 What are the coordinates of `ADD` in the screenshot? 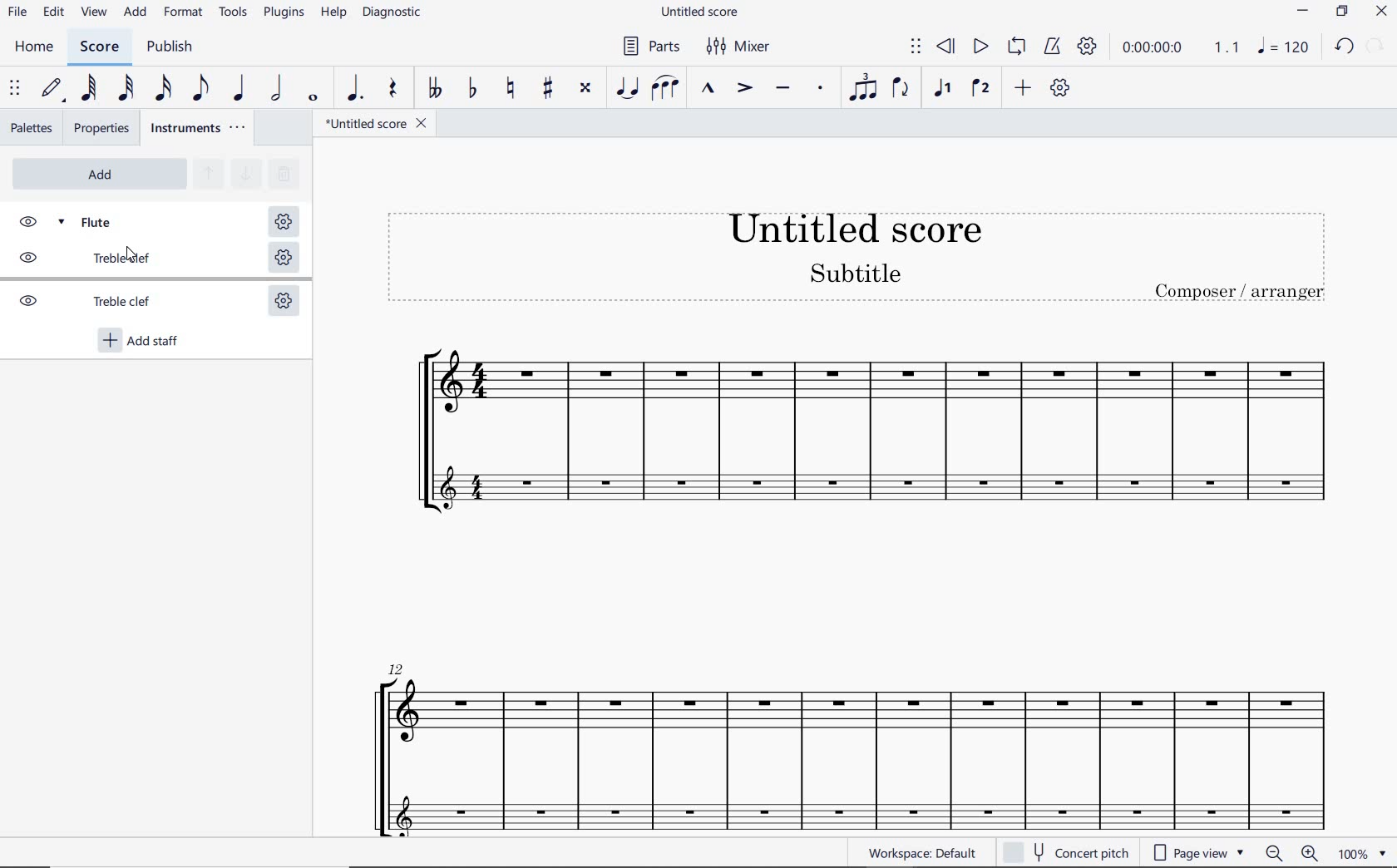 It's located at (135, 14).